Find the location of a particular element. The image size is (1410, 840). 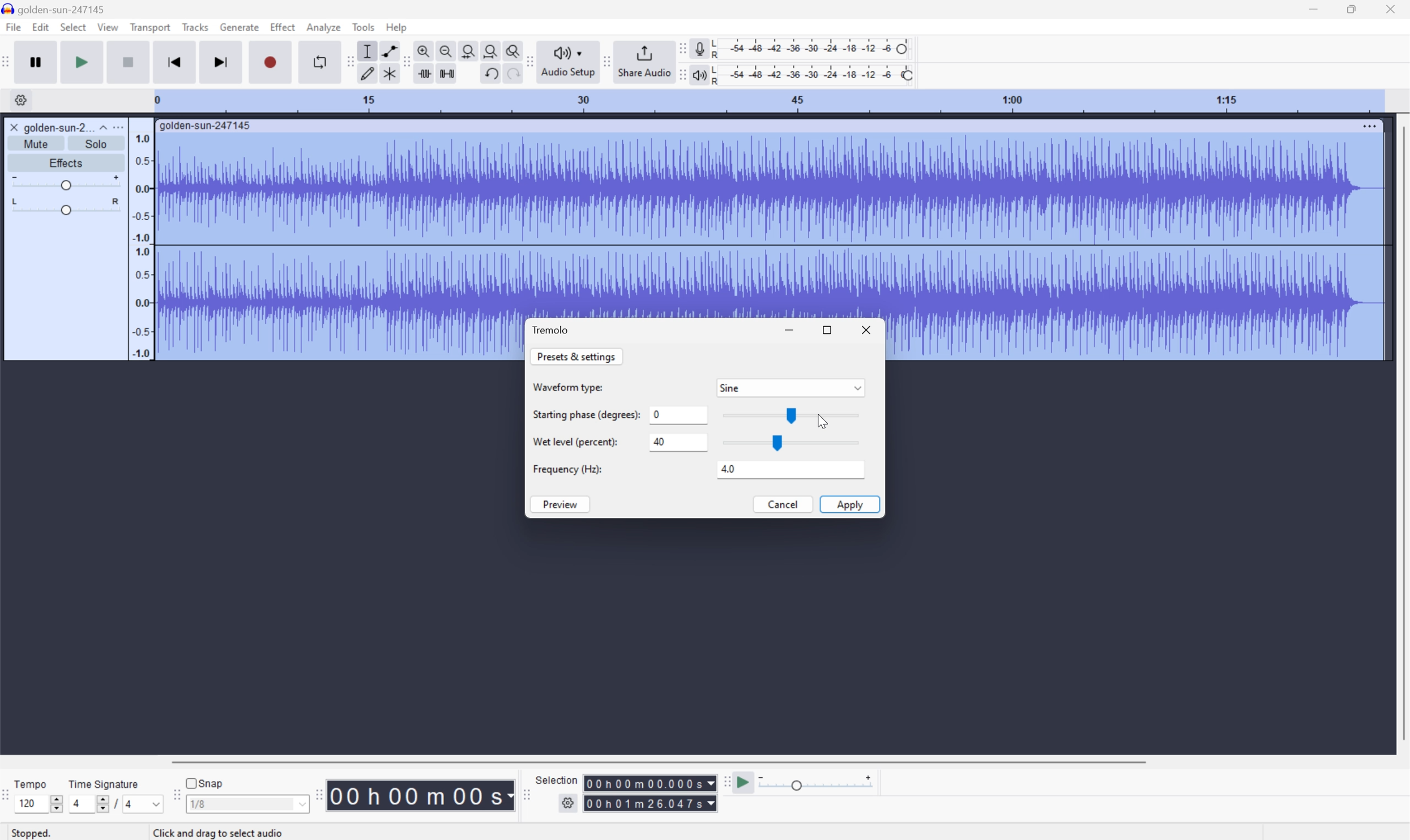

Audacity Time toolbar is located at coordinates (317, 795).